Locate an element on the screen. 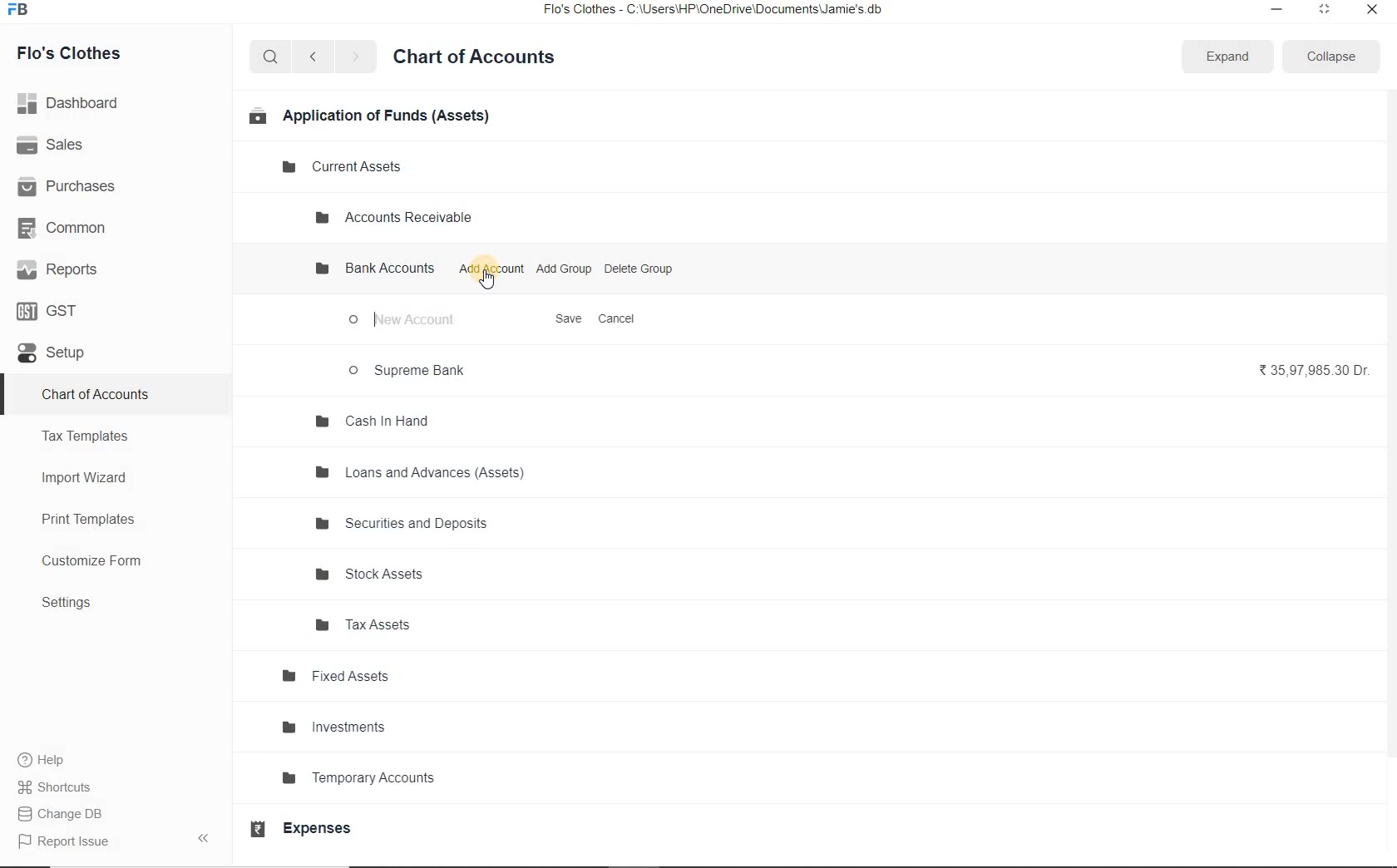  ₹35,97,985.30 Dr. is located at coordinates (1316, 371).